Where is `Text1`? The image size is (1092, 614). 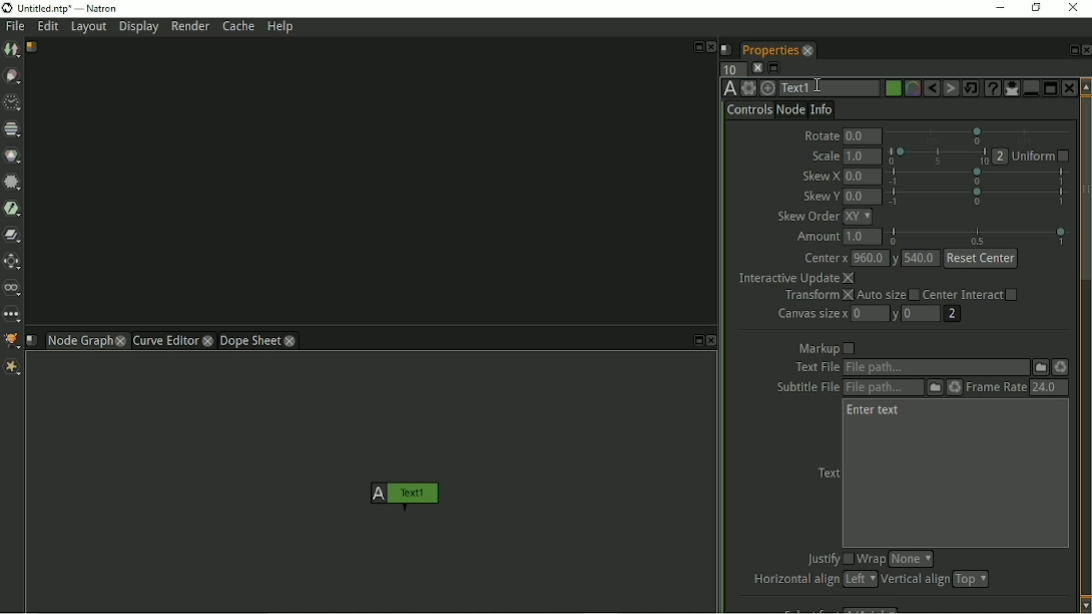
Text1 is located at coordinates (401, 496).